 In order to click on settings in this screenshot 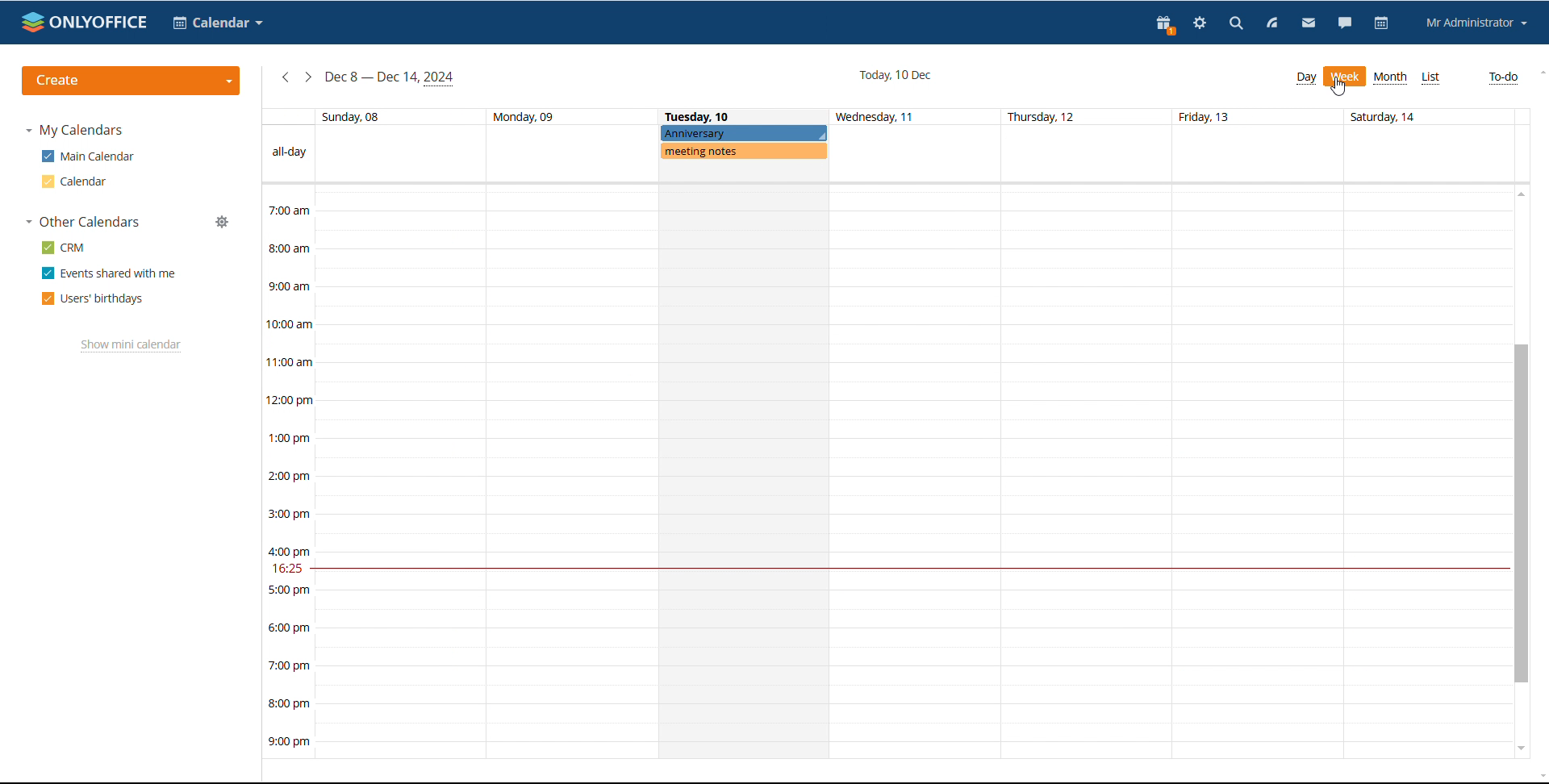, I will do `click(1200, 23)`.